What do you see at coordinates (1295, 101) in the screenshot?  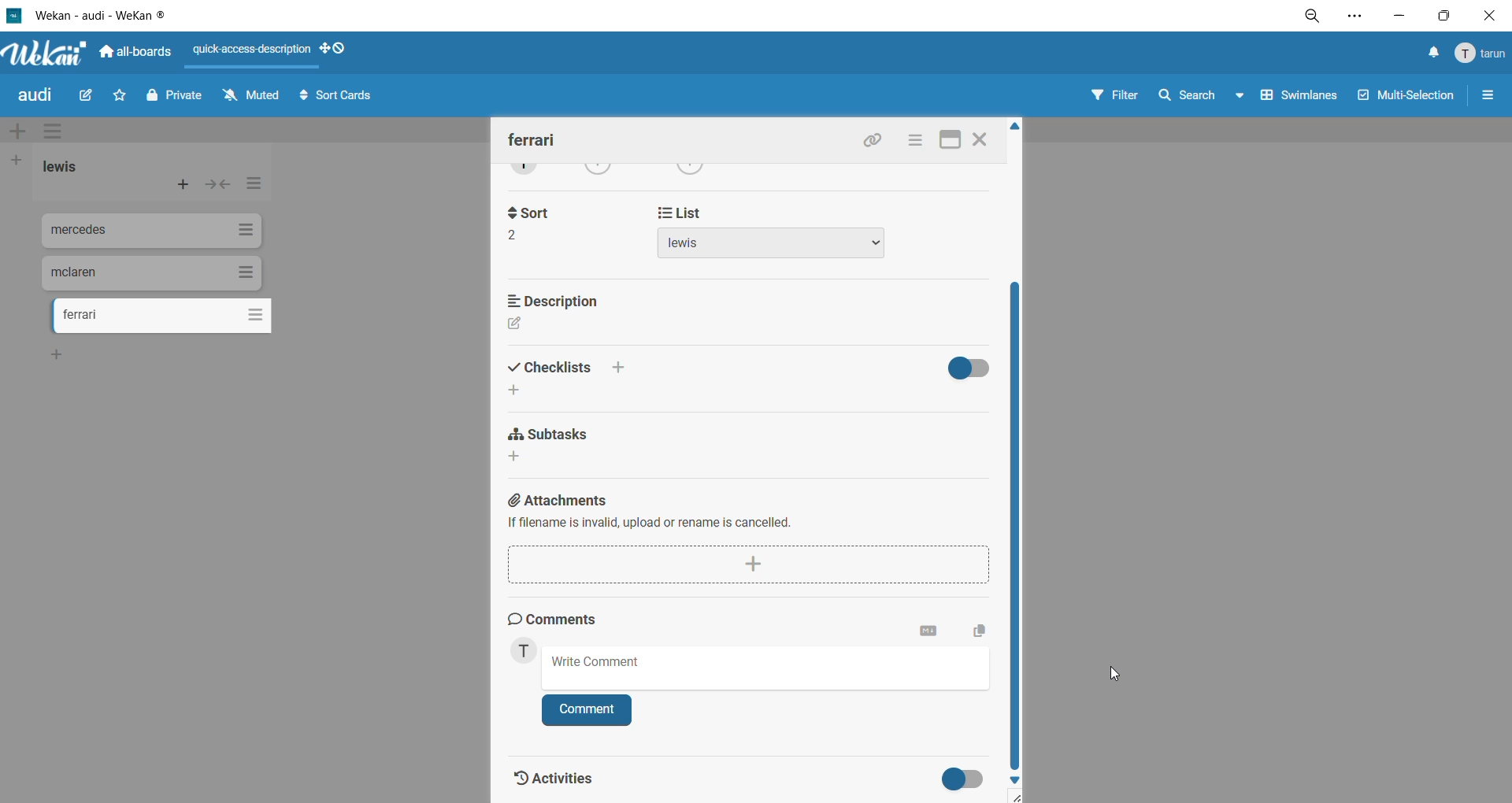 I see `swimlanes` at bounding box center [1295, 101].